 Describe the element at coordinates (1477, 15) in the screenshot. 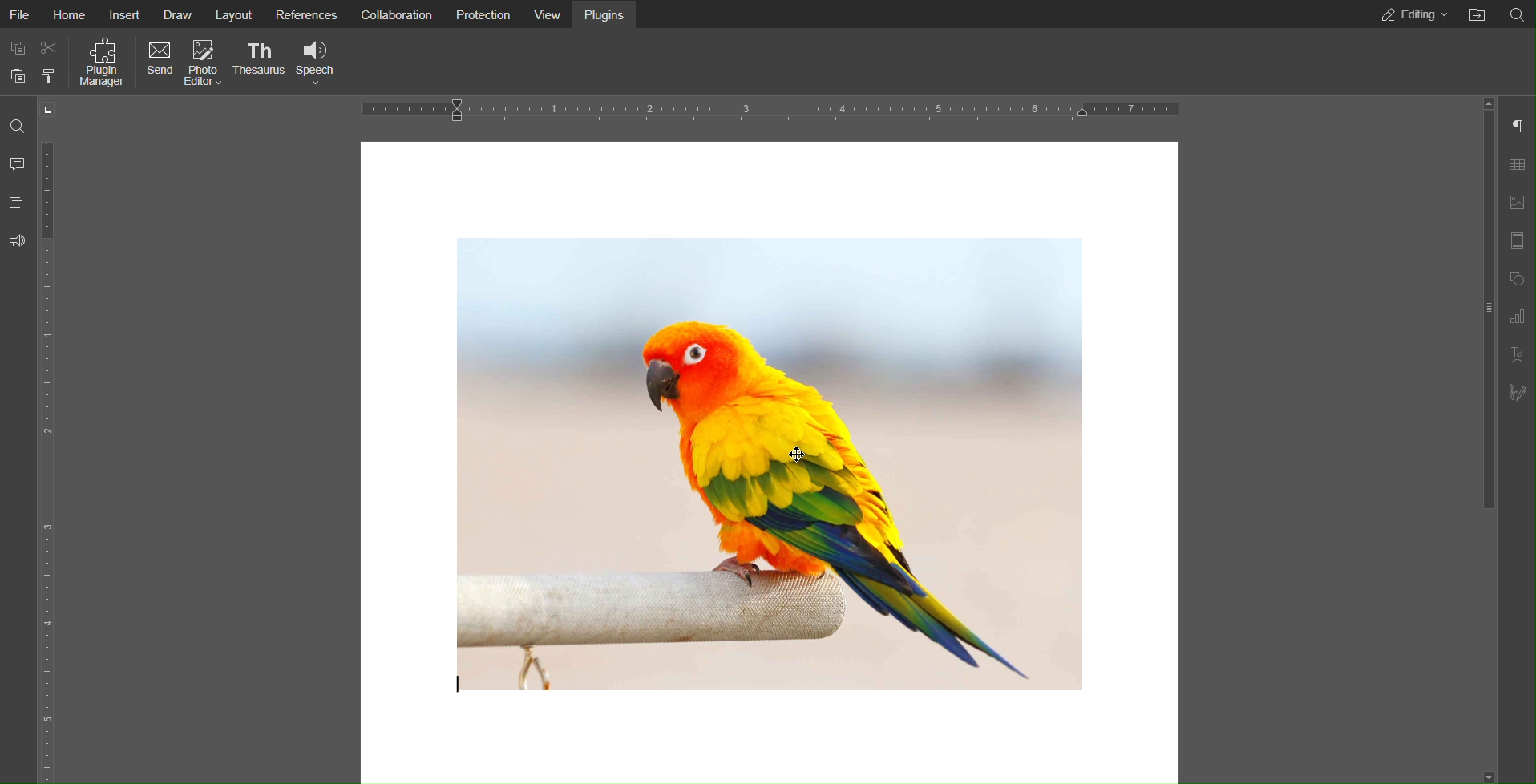

I see `Open File Location` at that location.